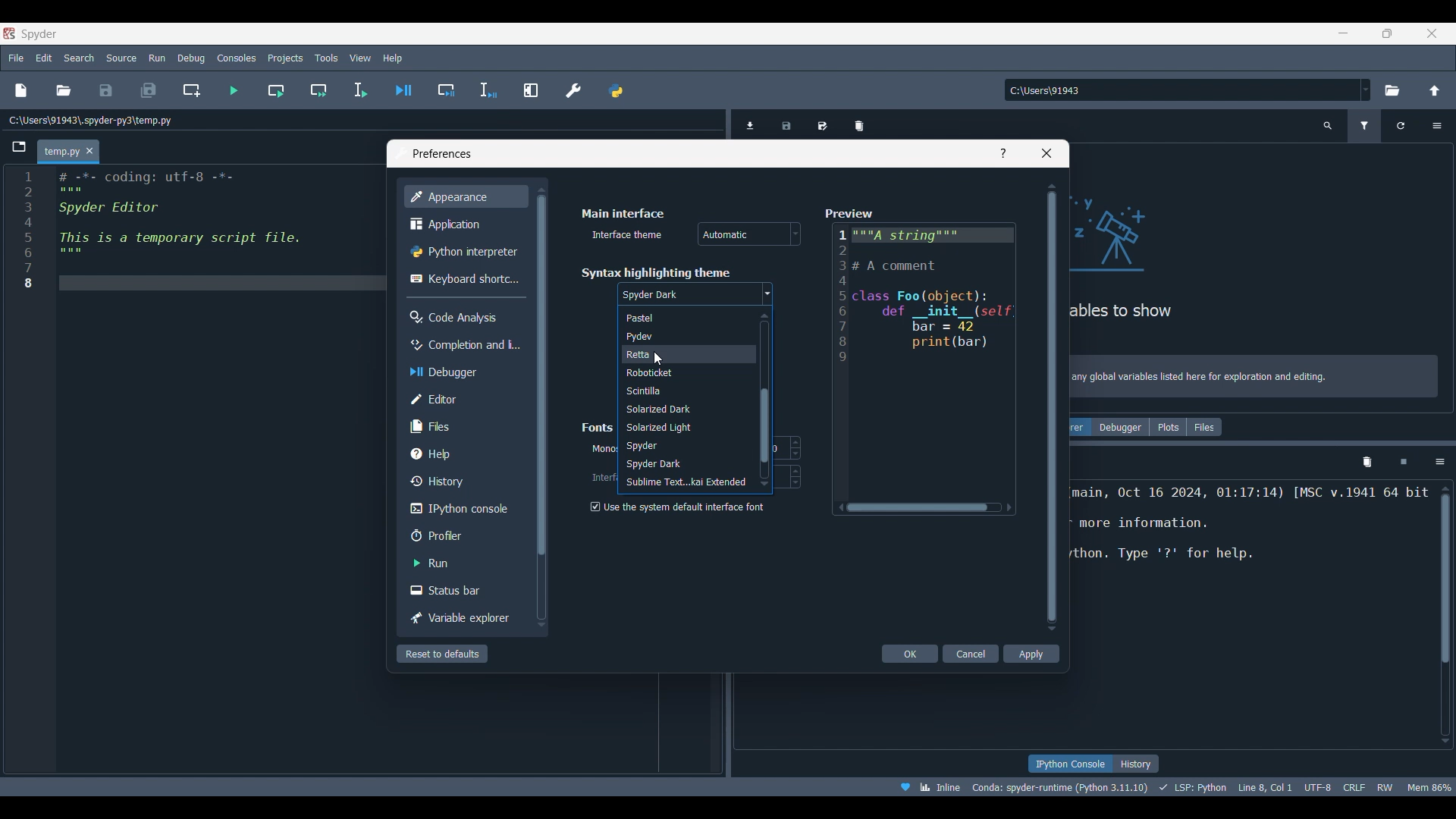  I want to click on scintilla, so click(683, 392).